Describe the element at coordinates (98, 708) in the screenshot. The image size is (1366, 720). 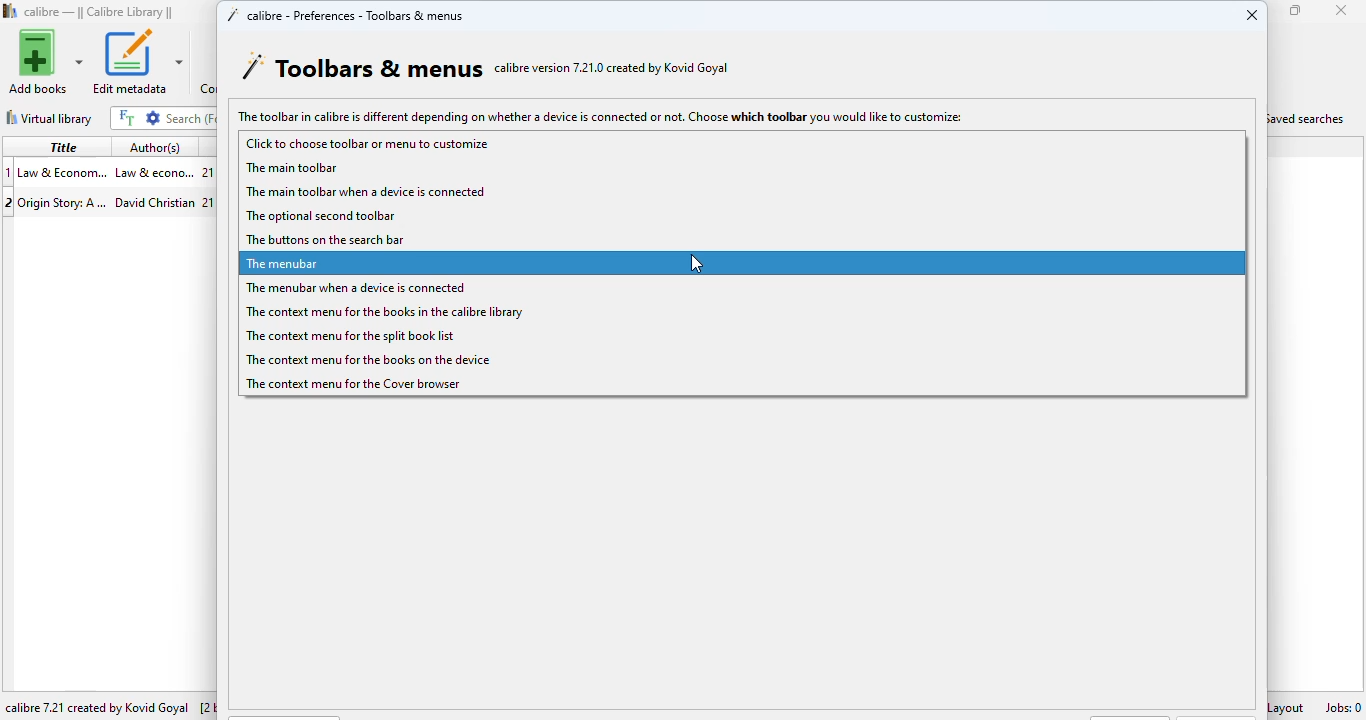
I see `calibre 7.21 created by Kovid Goyal` at that location.